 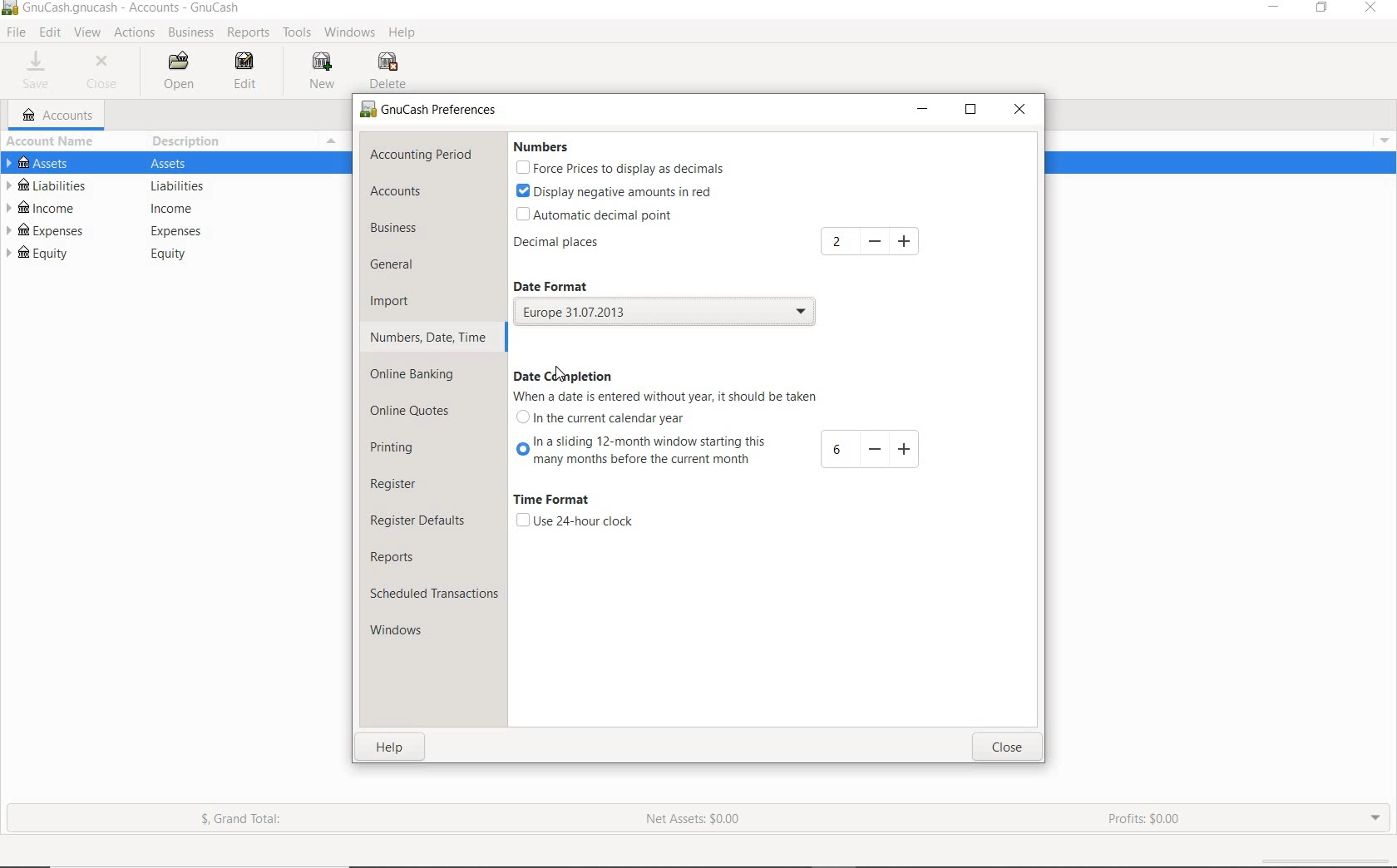 What do you see at coordinates (166, 187) in the screenshot?
I see `LIABILITIES` at bounding box center [166, 187].